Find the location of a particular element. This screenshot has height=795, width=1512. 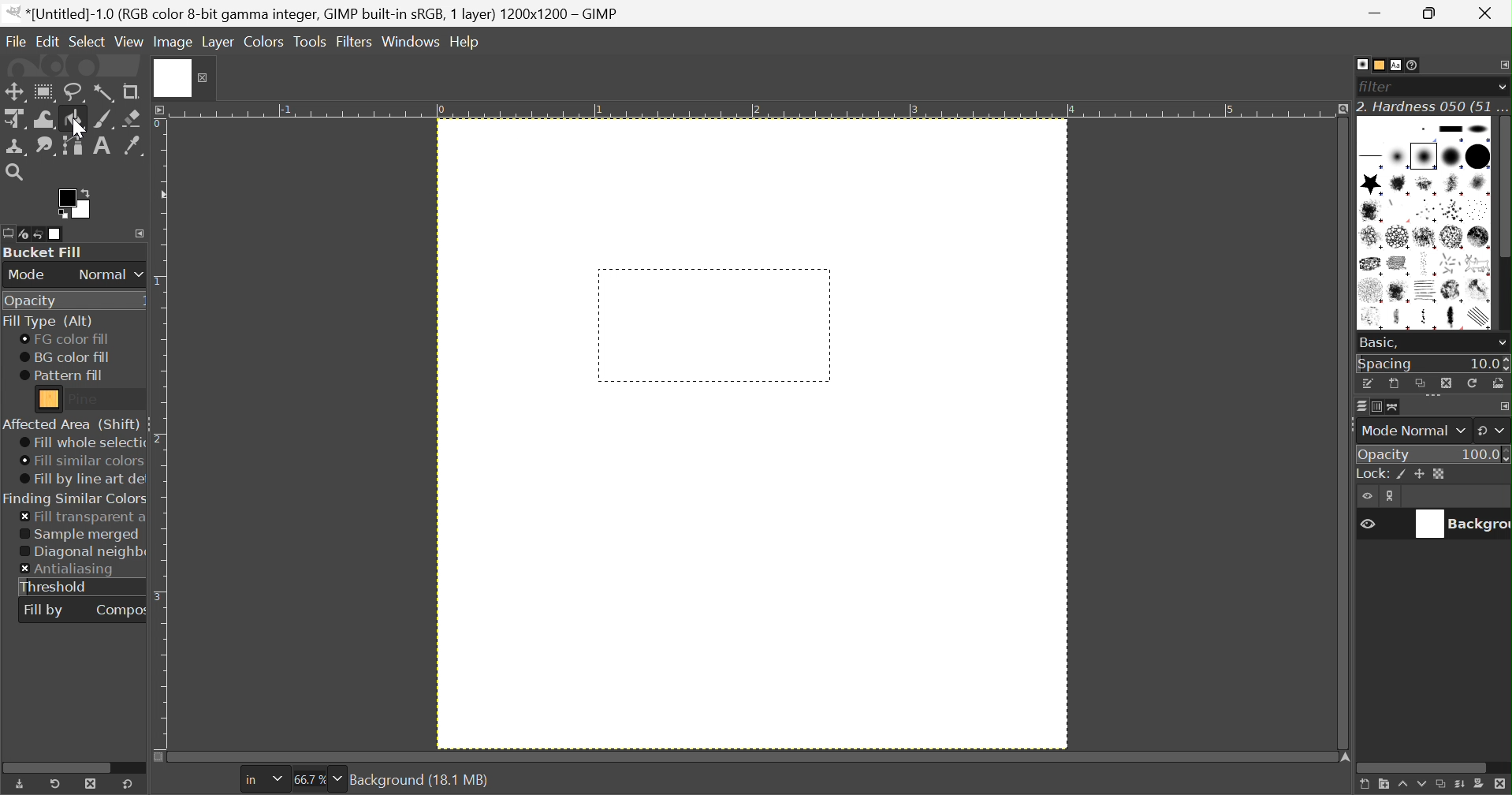

Restore Tool Preset is located at coordinates (54, 784).